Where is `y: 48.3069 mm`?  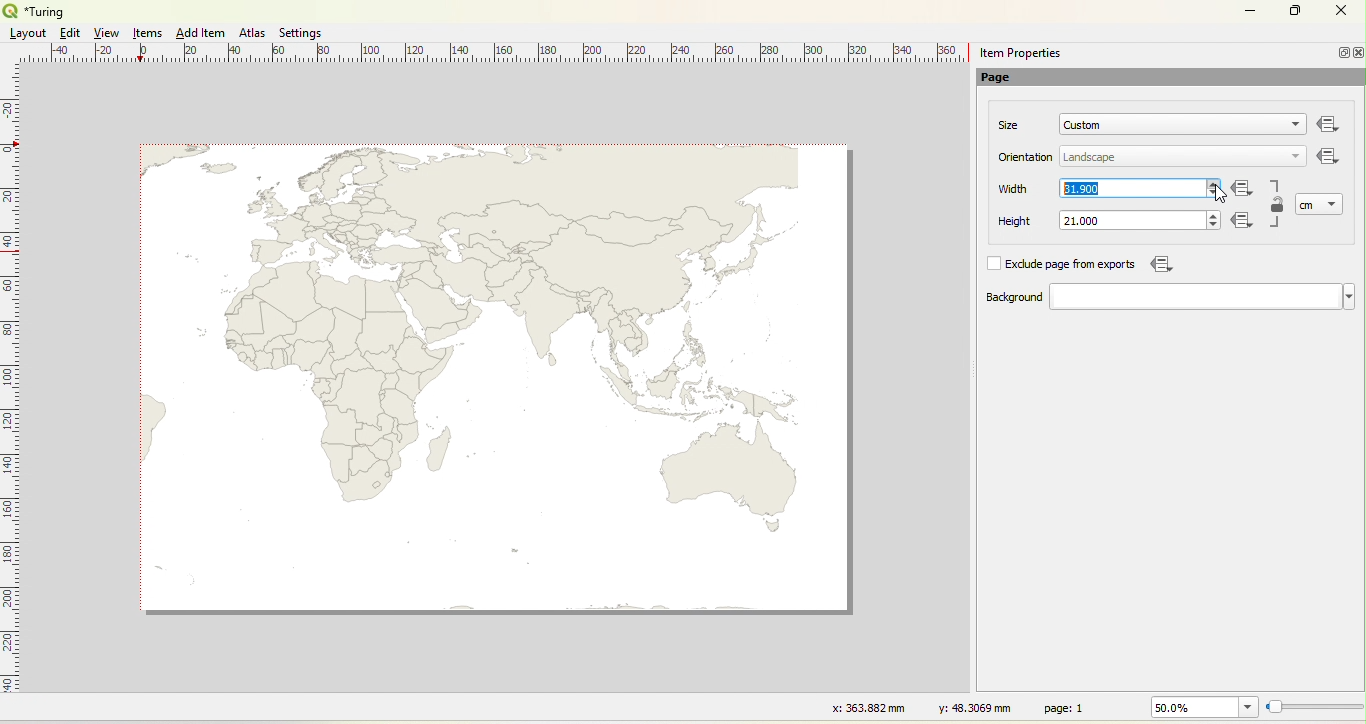
y: 48.3069 mm is located at coordinates (968, 707).